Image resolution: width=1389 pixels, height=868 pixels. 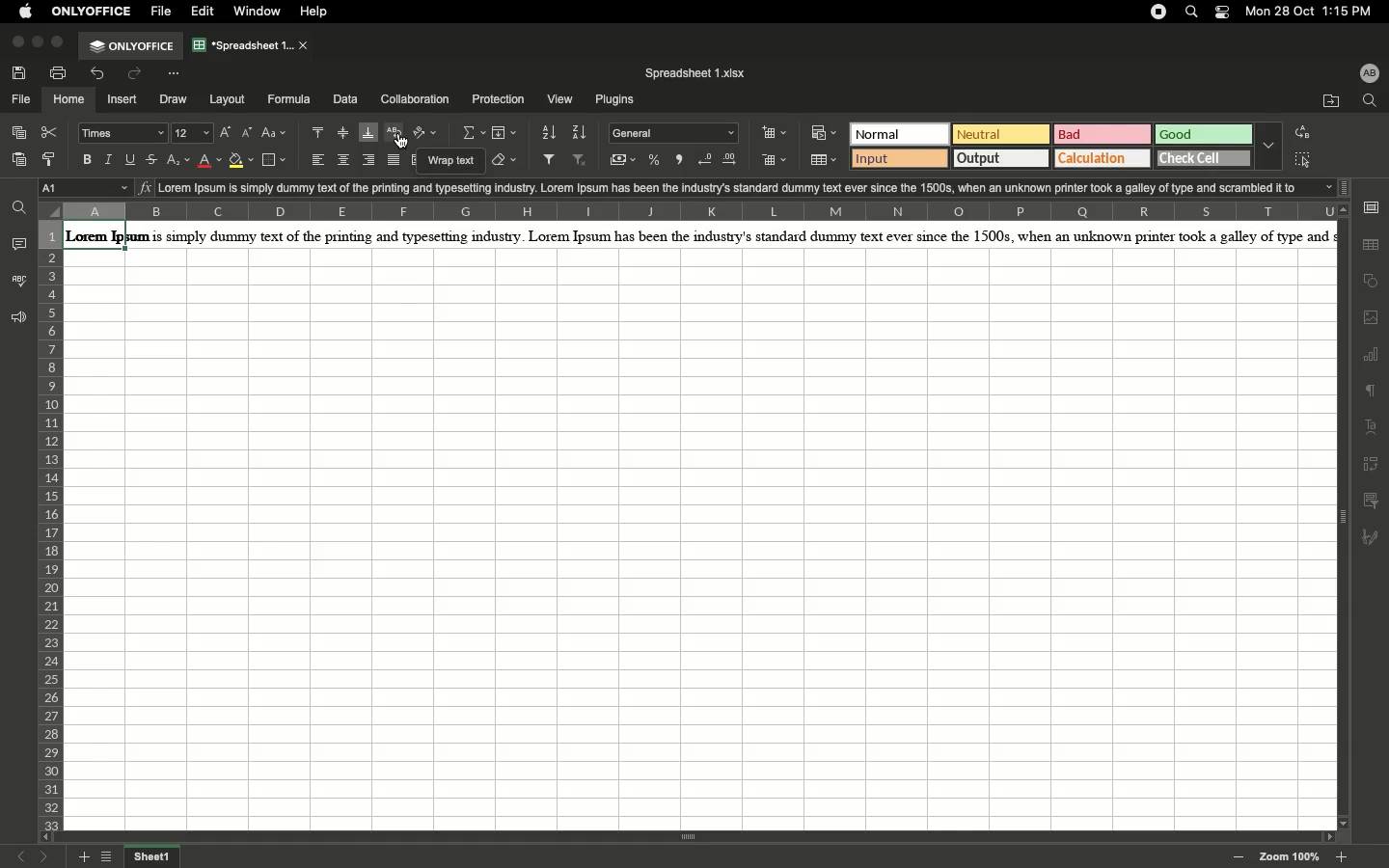 What do you see at coordinates (675, 133) in the screenshot?
I see `Number format ` at bounding box center [675, 133].